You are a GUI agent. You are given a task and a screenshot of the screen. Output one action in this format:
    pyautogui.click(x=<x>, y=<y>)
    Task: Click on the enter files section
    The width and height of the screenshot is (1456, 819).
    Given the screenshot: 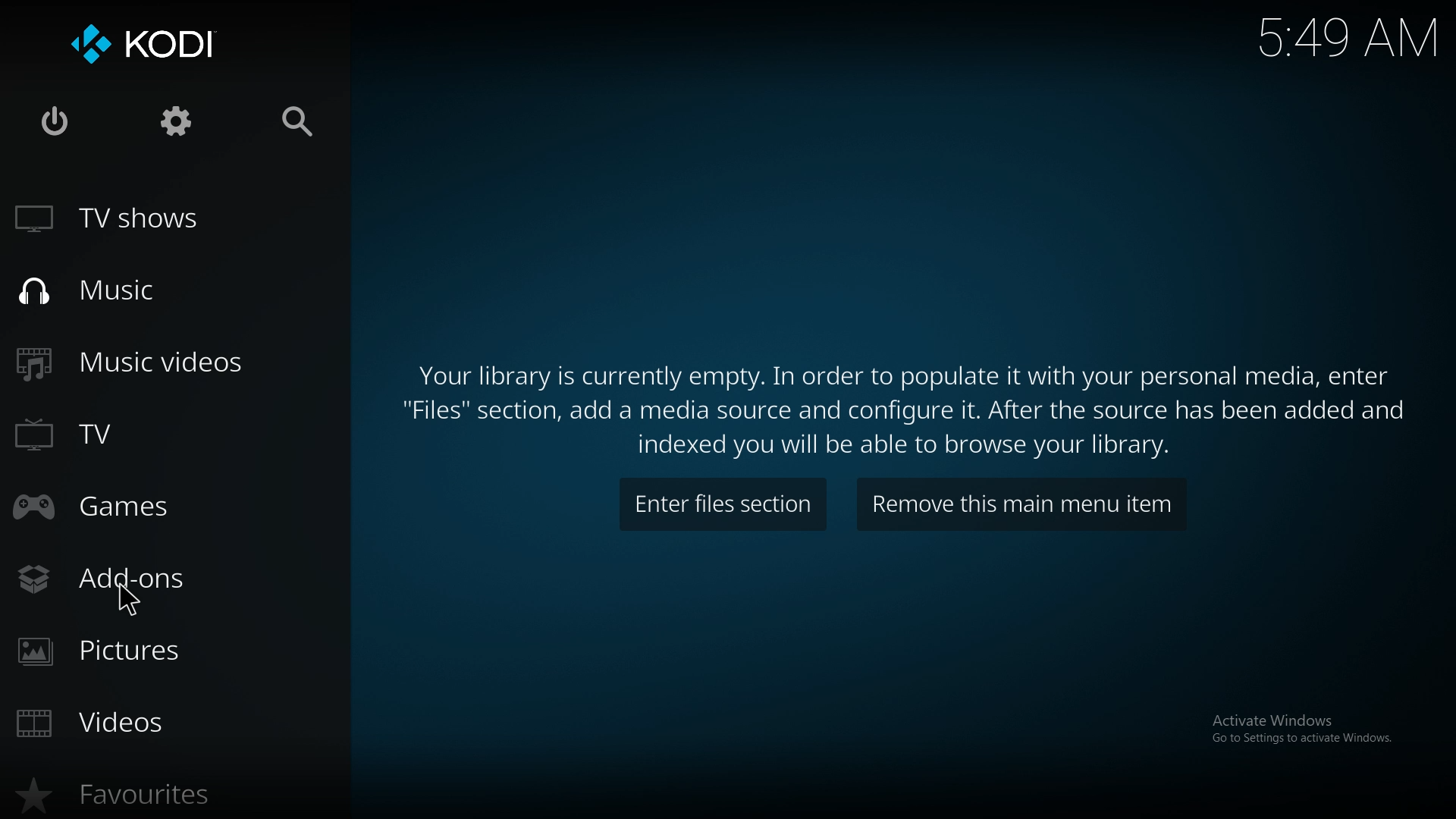 What is the action you would take?
    pyautogui.click(x=726, y=505)
    